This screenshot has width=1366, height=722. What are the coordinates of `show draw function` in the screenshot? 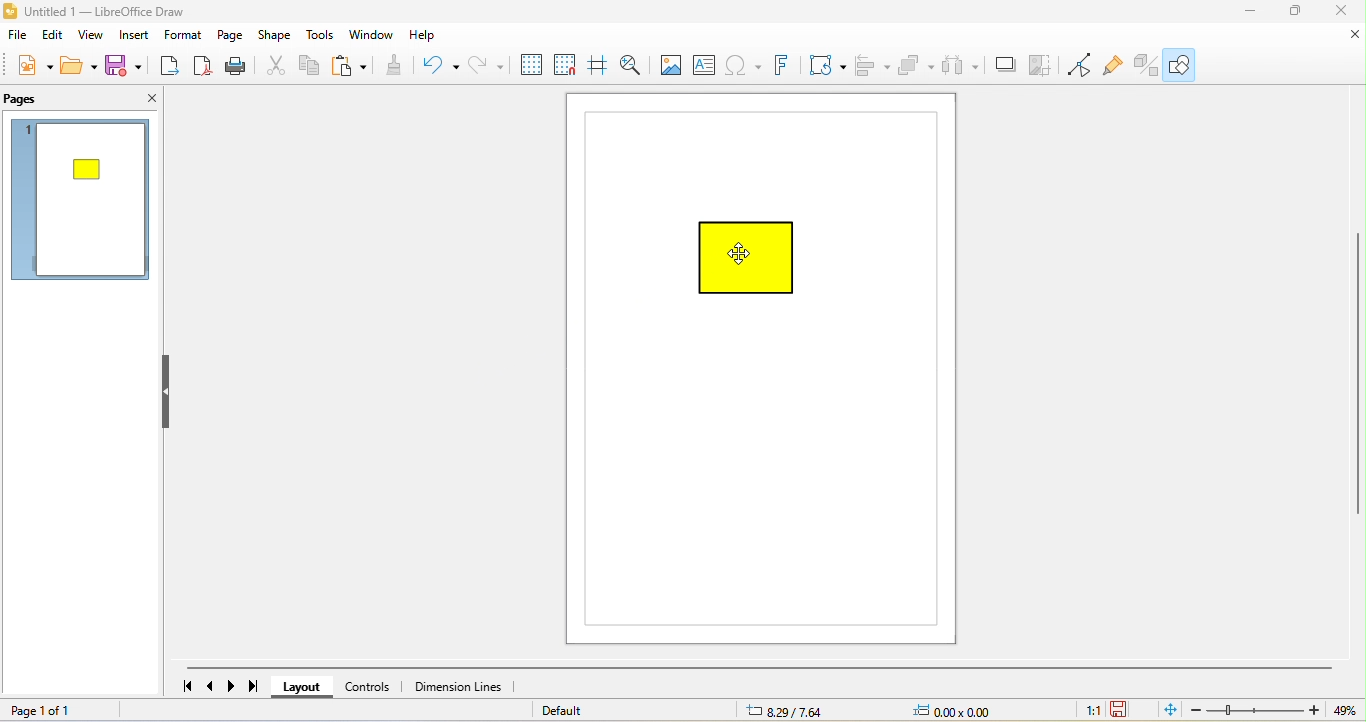 It's located at (1183, 66).